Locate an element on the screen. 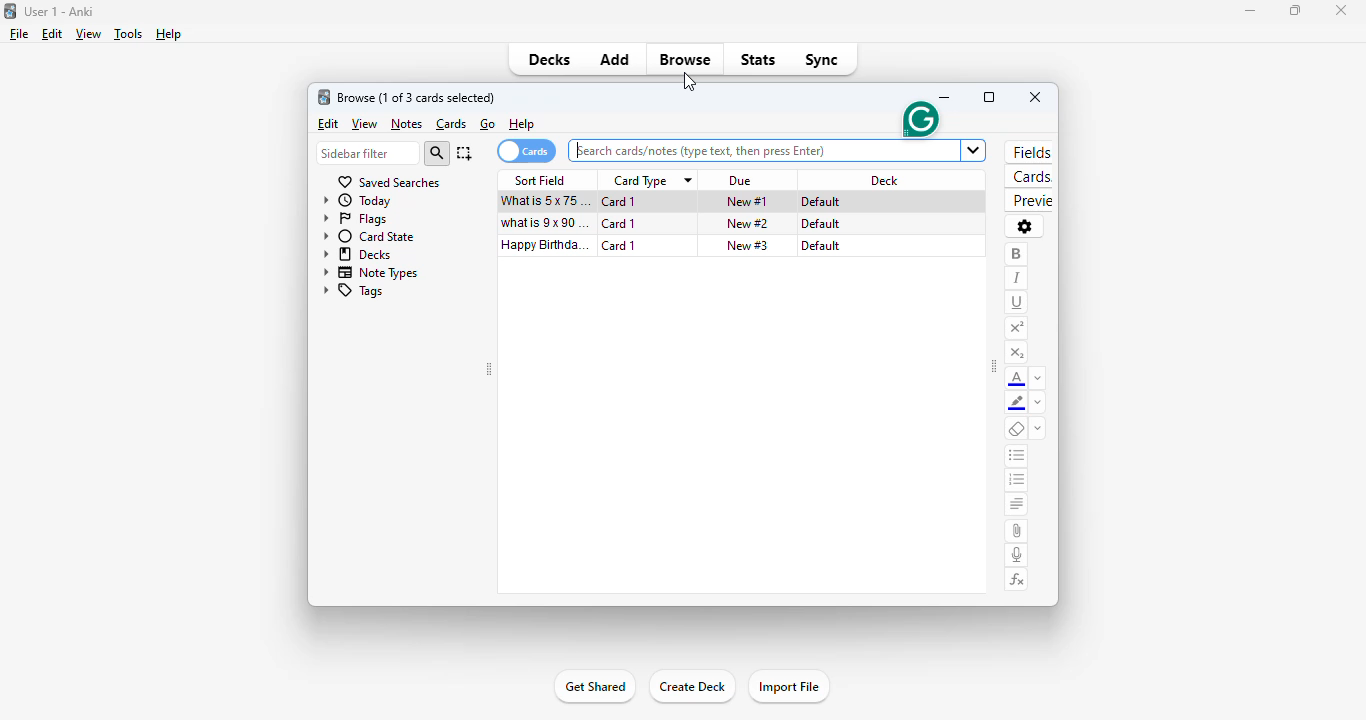  select formatting to remove is located at coordinates (1039, 427).